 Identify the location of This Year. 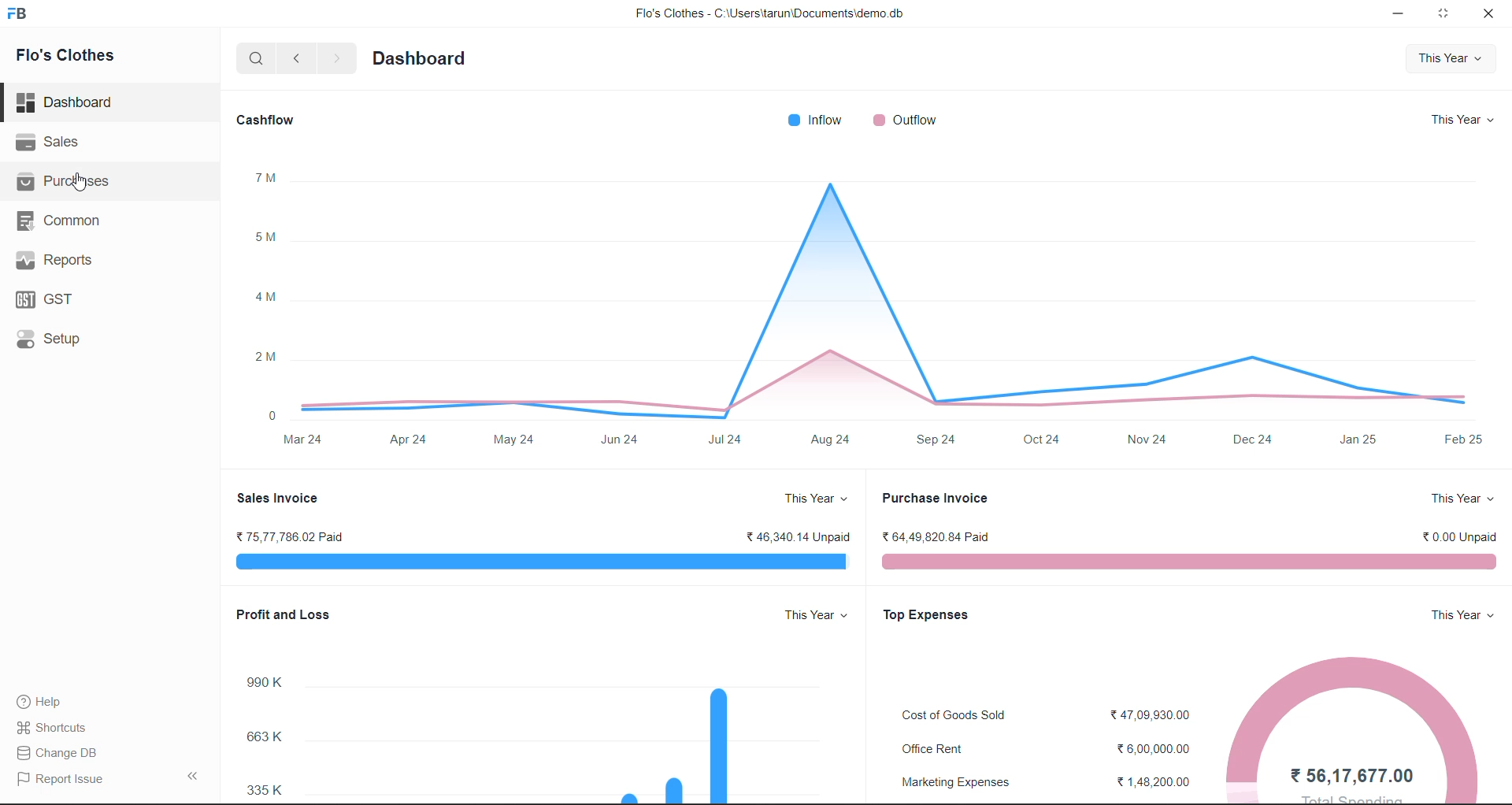
(1460, 500).